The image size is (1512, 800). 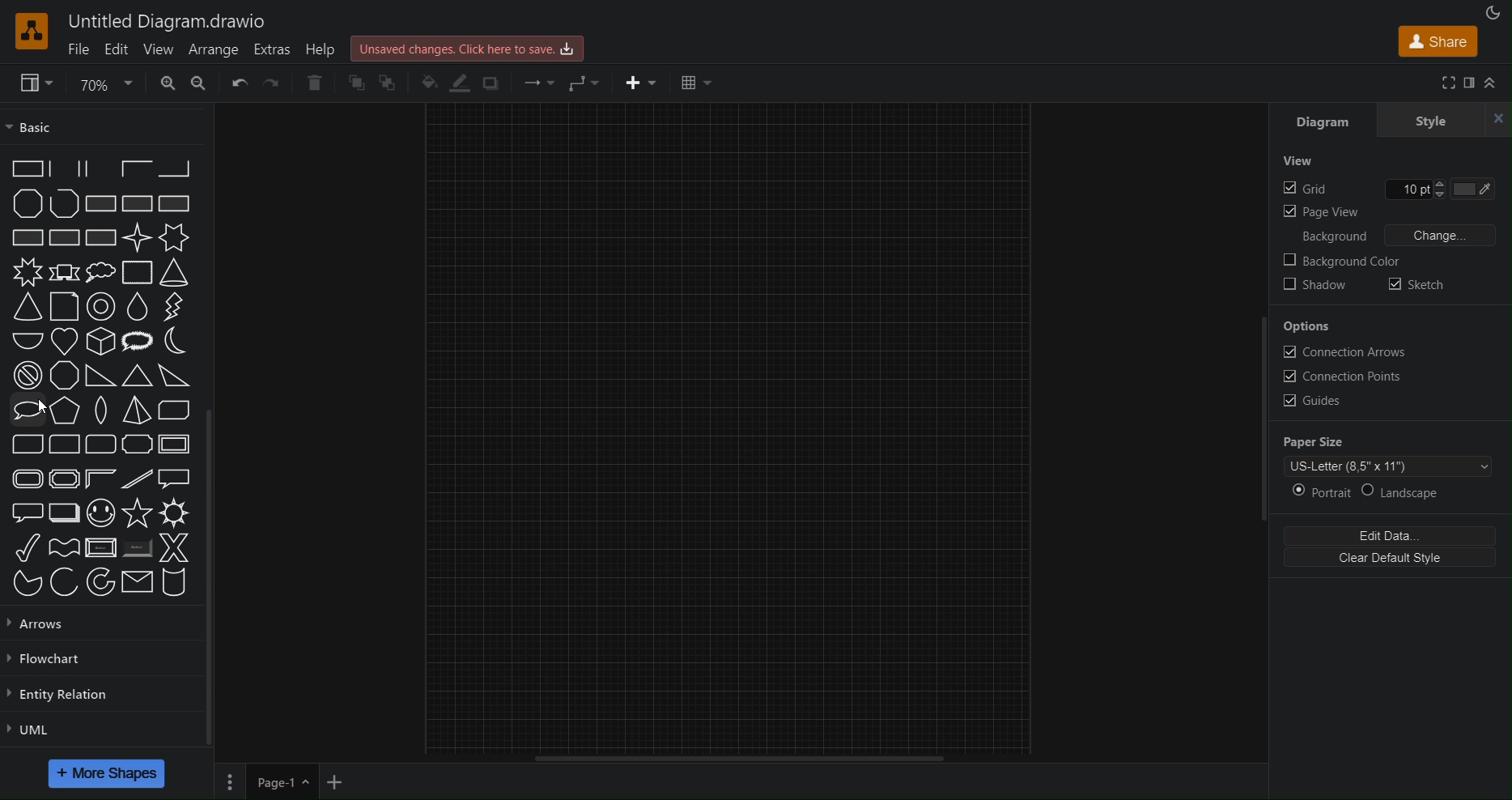 What do you see at coordinates (738, 758) in the screenshot?
I see `Scrollbar` at bounding box center [738, 758].